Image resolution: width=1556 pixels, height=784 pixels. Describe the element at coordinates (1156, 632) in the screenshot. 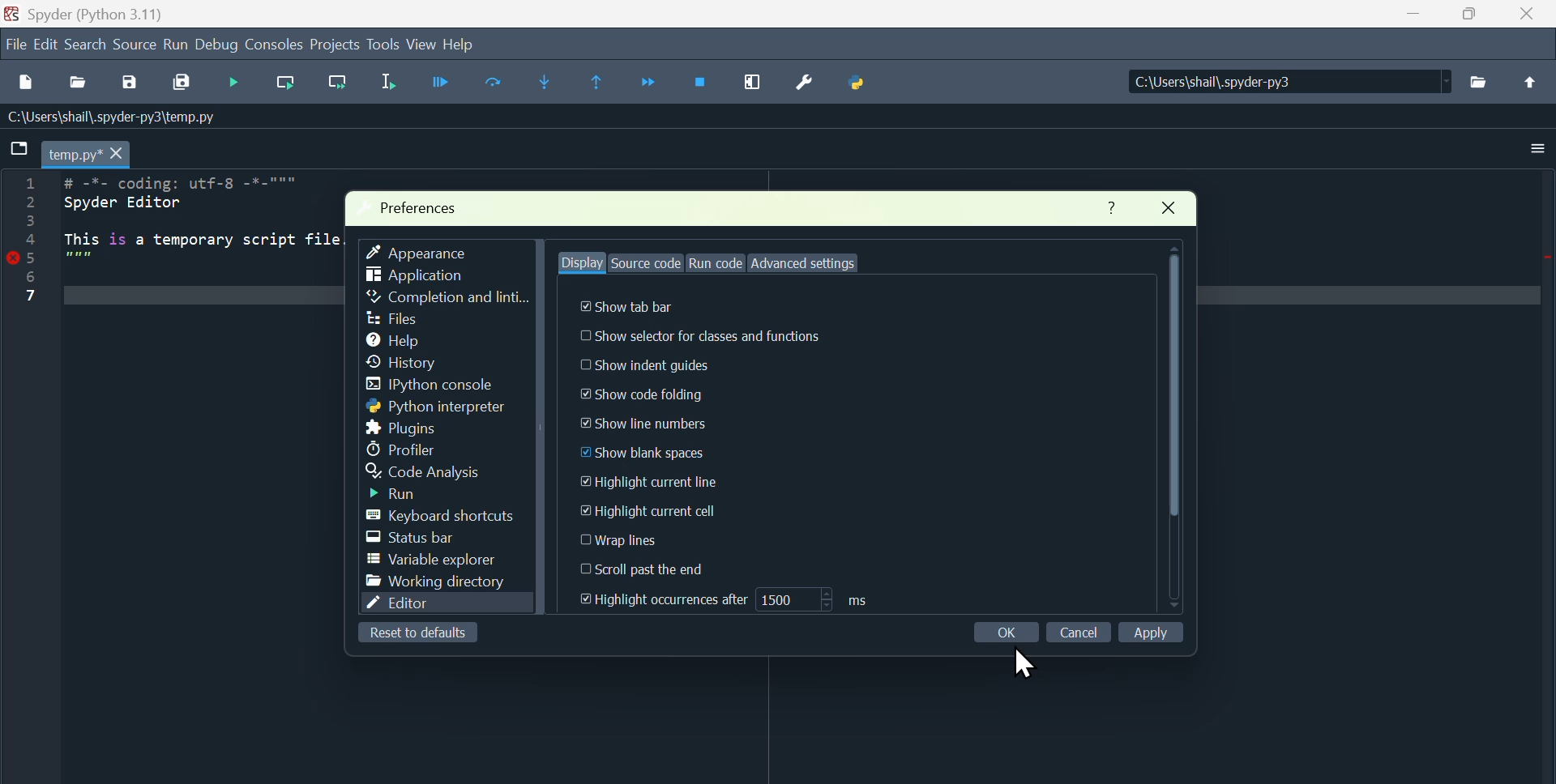

I see `Apply` at that location.